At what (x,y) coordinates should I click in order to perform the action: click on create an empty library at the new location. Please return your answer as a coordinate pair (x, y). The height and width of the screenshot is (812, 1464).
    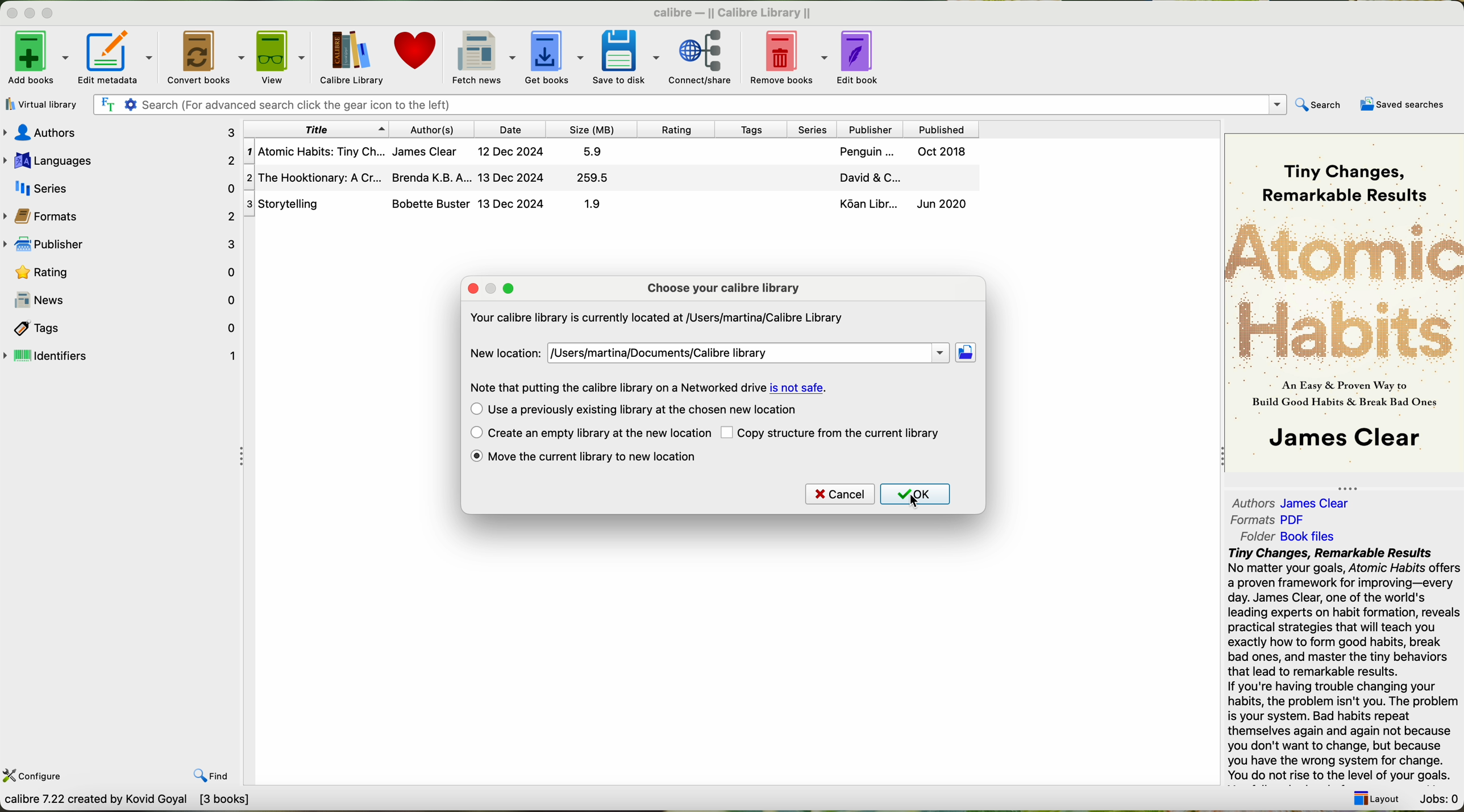
    Looking at the image, I should click on (598, 434).